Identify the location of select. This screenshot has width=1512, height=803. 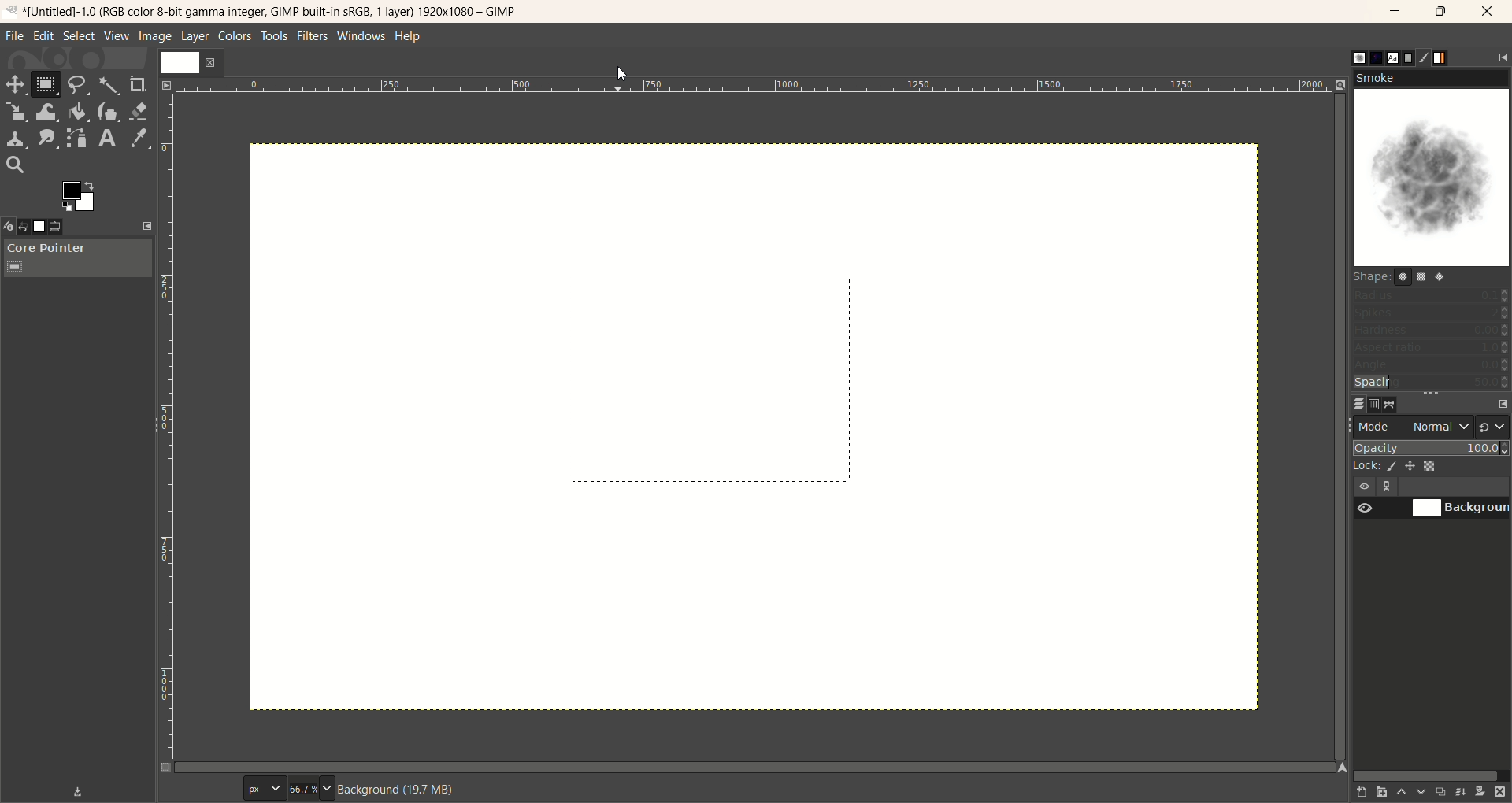
(80, 35).